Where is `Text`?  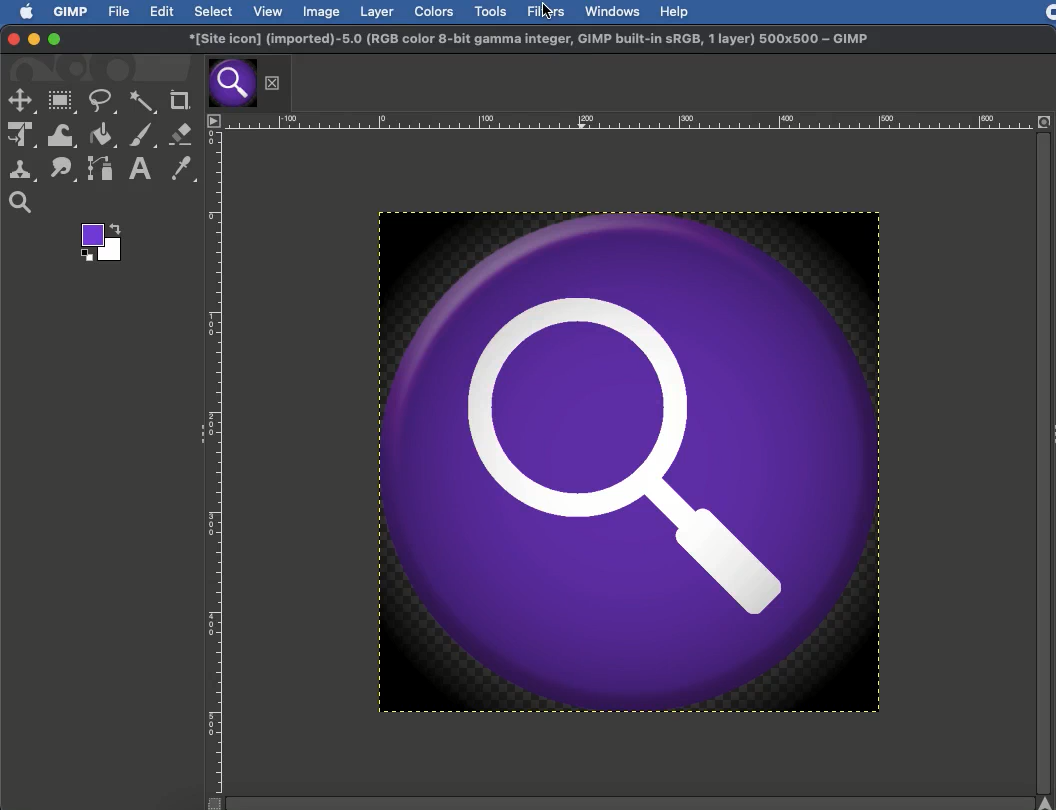
Text is located at coordinates (138, 169).